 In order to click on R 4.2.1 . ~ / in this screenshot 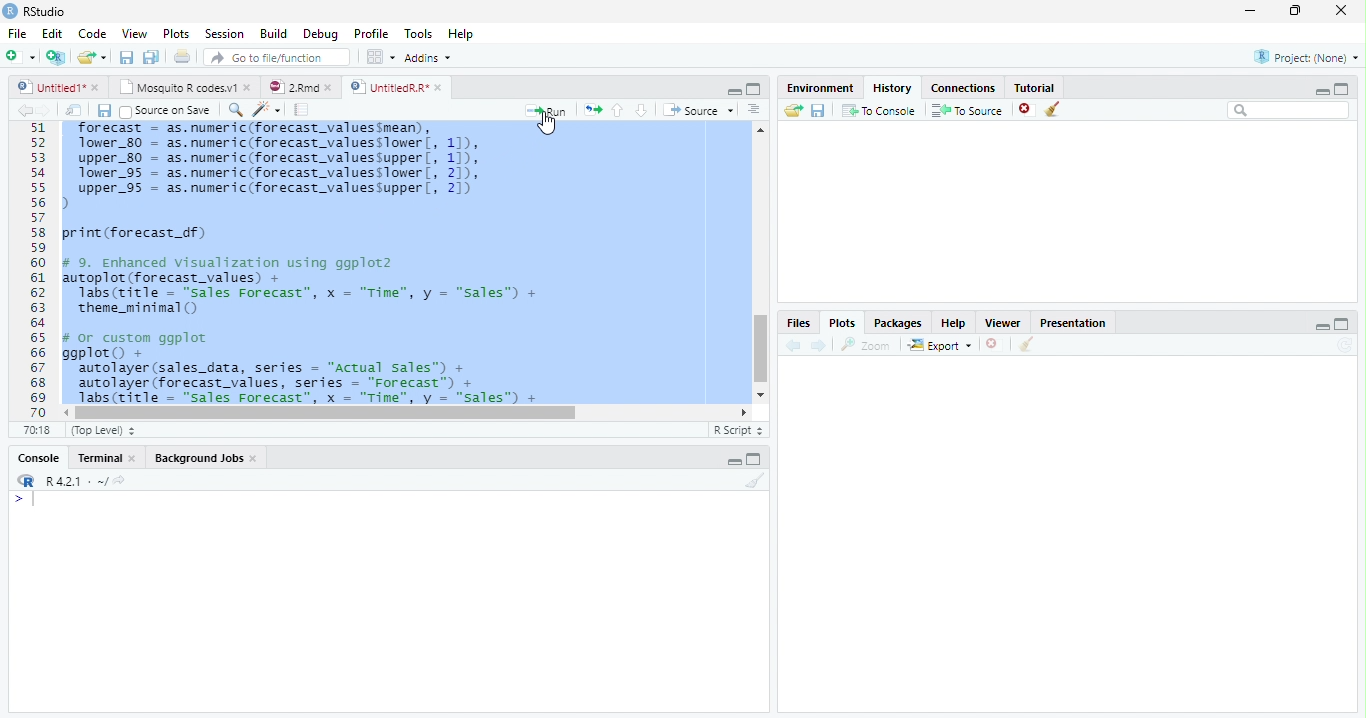, I will do `click(76, 482)`.